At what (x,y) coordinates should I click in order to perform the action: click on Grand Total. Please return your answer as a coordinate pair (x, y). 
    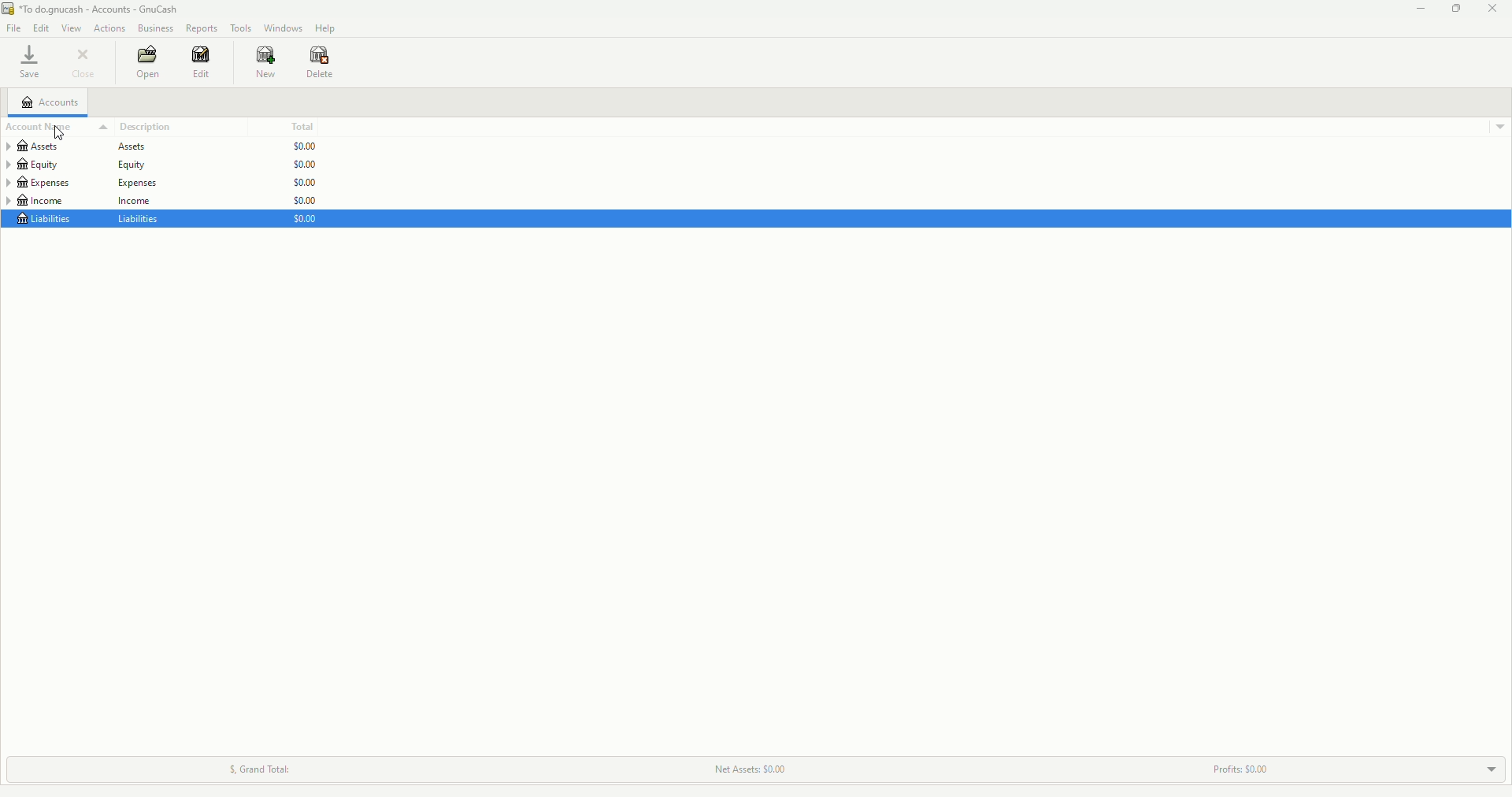
    Looking at the image, I should click on (258, 765).